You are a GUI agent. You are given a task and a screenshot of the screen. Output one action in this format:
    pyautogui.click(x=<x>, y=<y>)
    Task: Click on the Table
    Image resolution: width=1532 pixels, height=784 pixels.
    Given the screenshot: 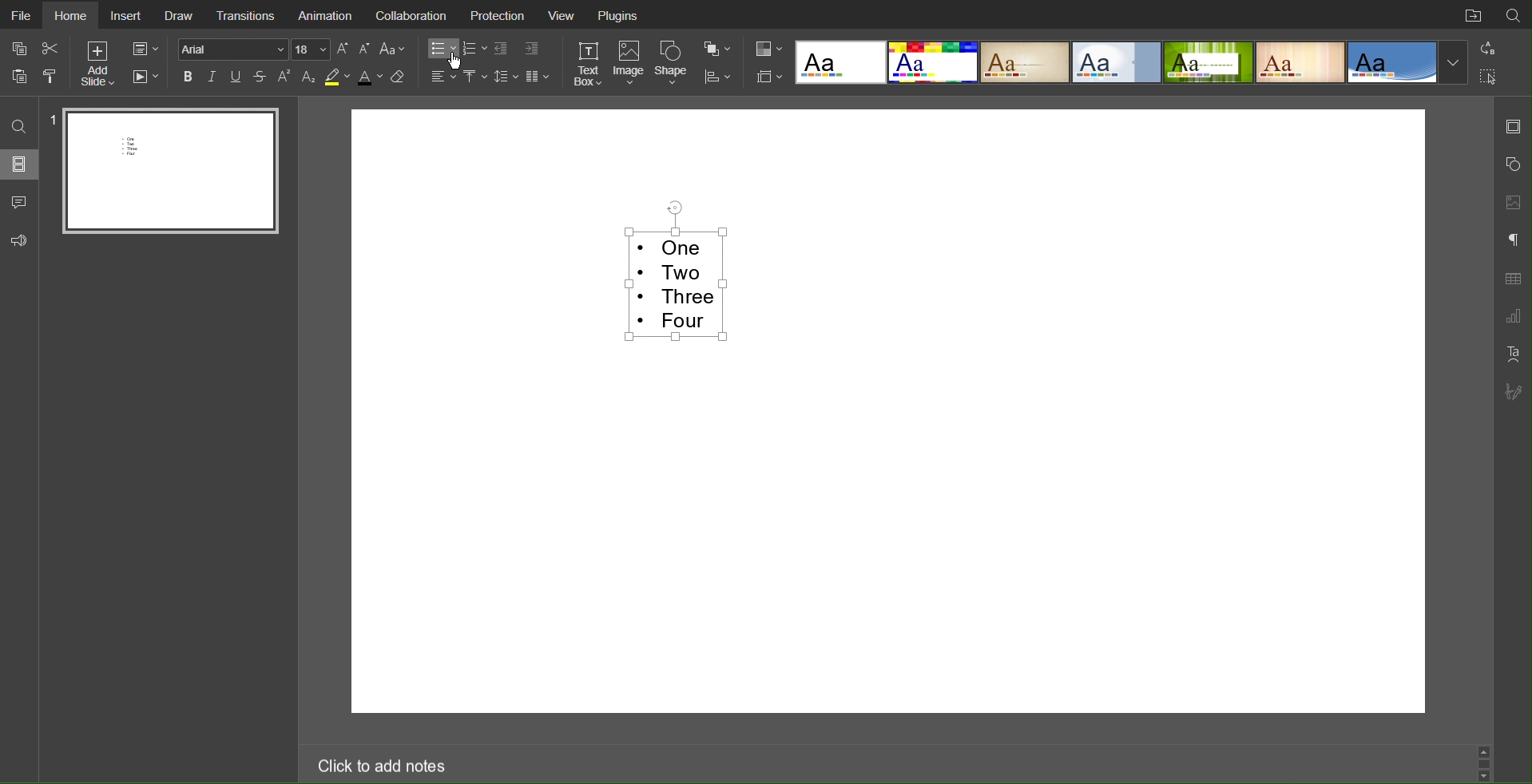 What is the action you would take?
    pyautogui.click(x=1514, y=278)
    